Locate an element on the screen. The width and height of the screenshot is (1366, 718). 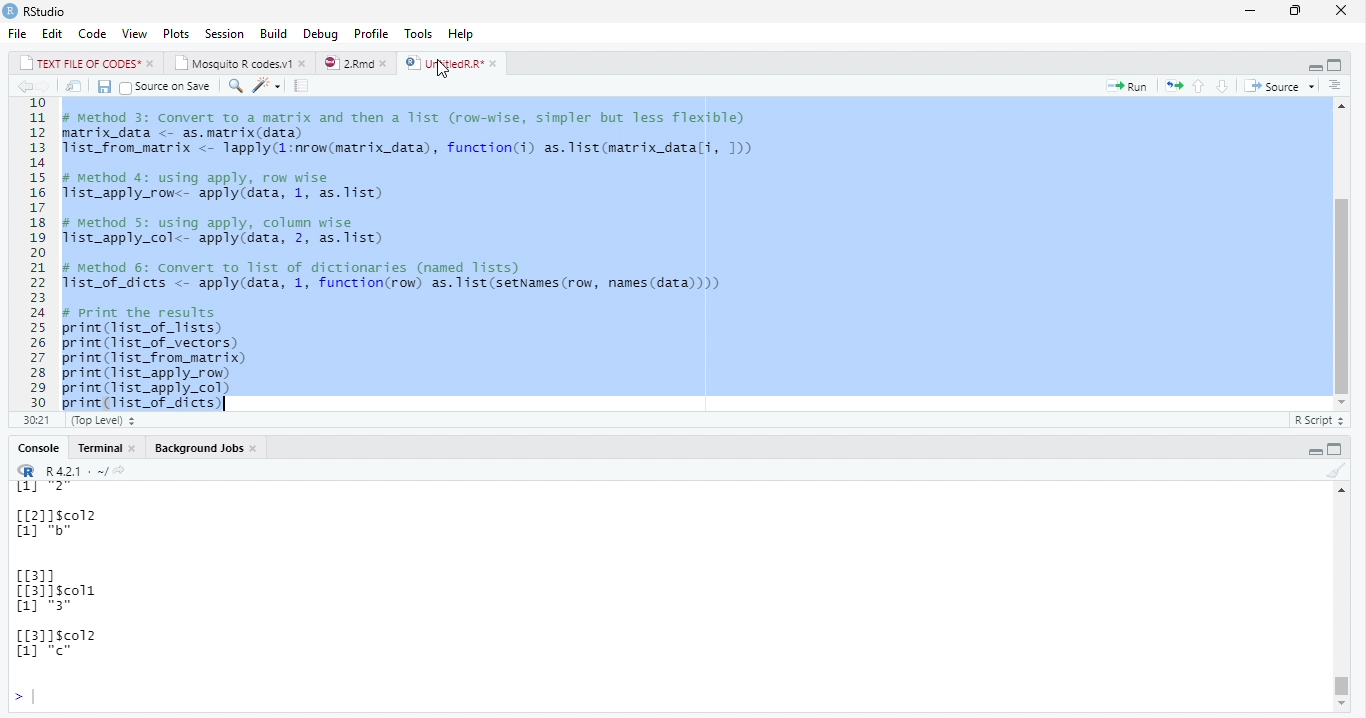
# Method 3: Convert to a matrix and then a 11st (row-wise, simpler but less Tlexible) is located at coordinates (409, 117).